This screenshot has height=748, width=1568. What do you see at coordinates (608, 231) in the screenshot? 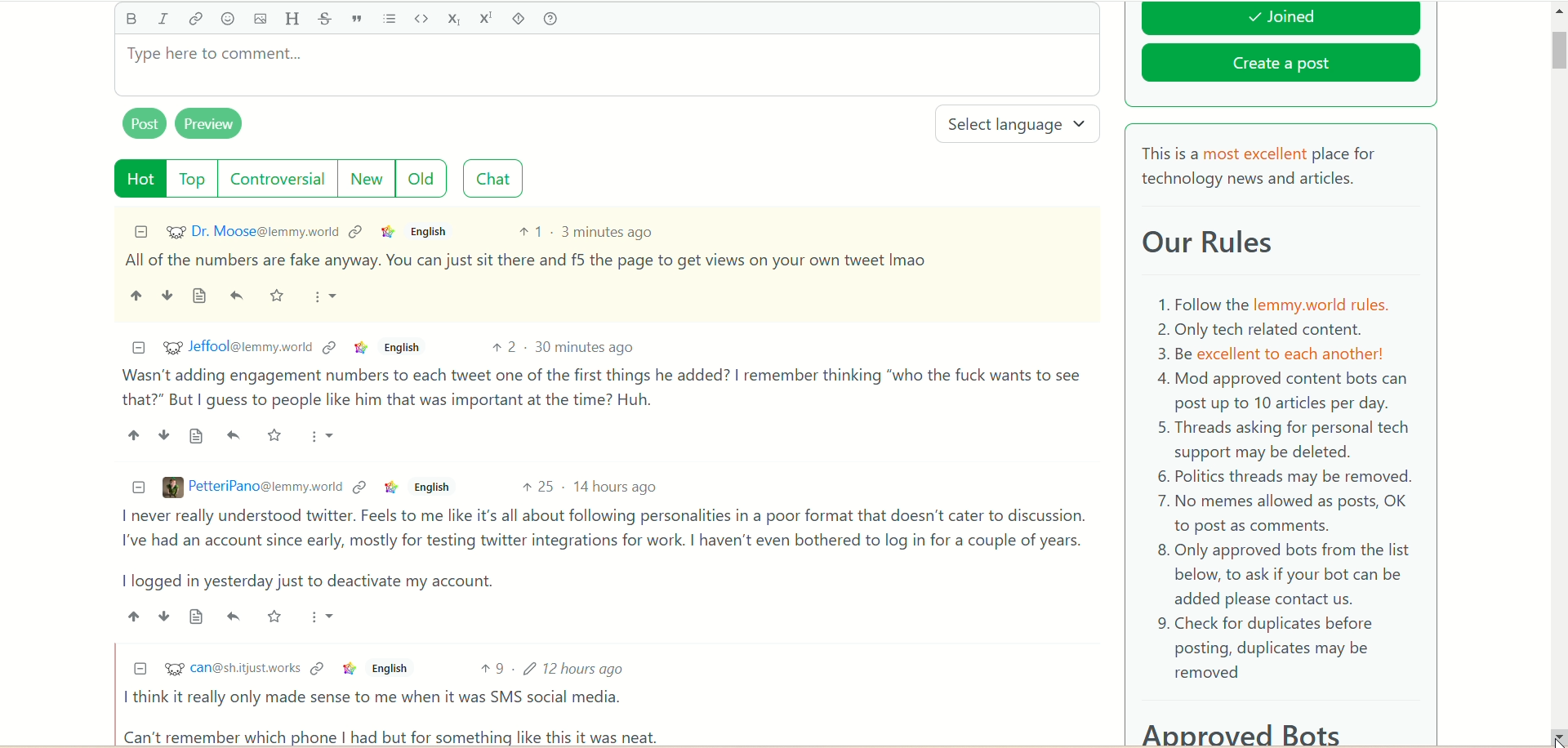
I see `3 minutes ago` at bounding box center [608, 231].